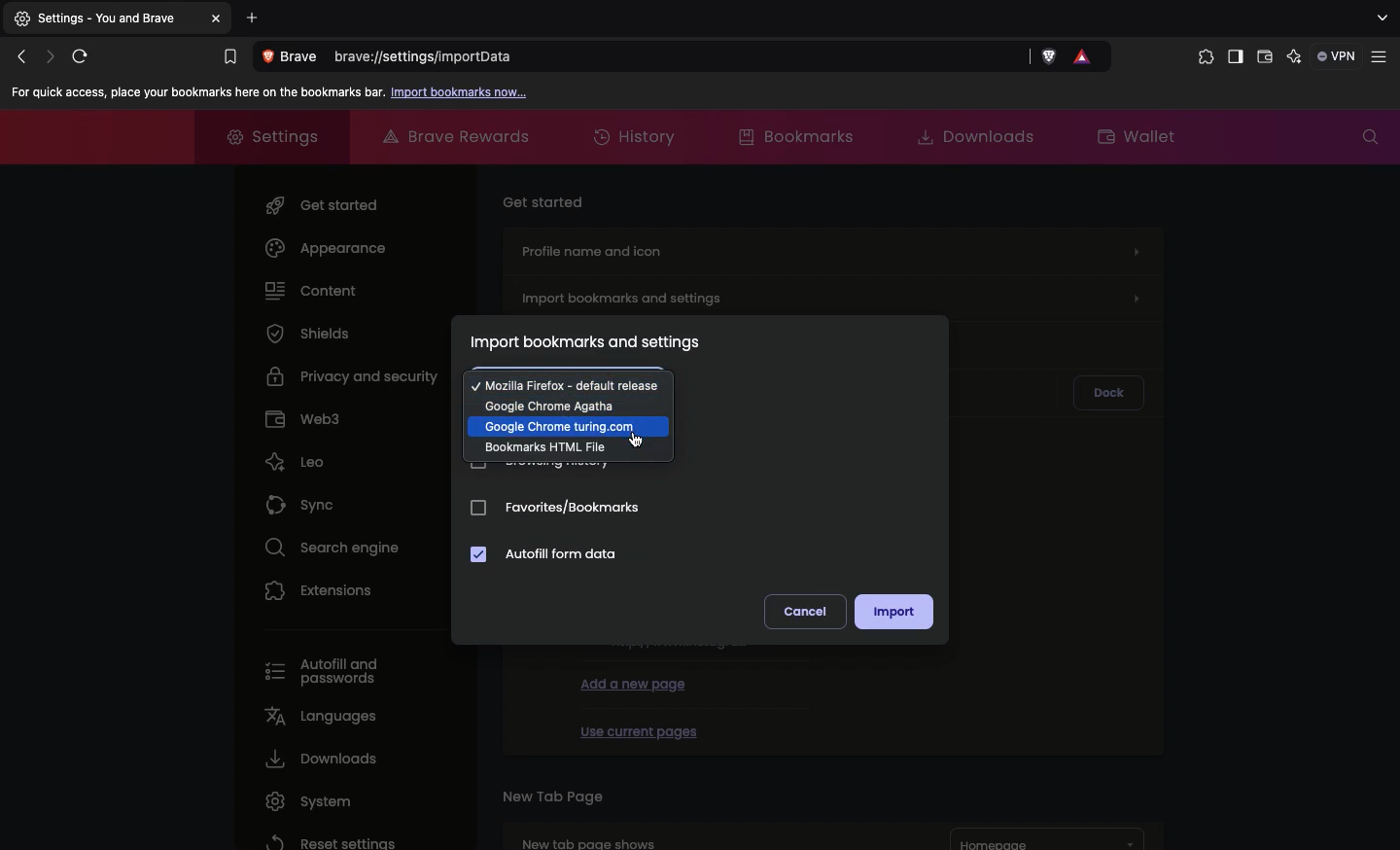 The image size is (1400, 850). Describe the element at coordinates (326, 545) in the screenshot. I see `Search engine` at that location.